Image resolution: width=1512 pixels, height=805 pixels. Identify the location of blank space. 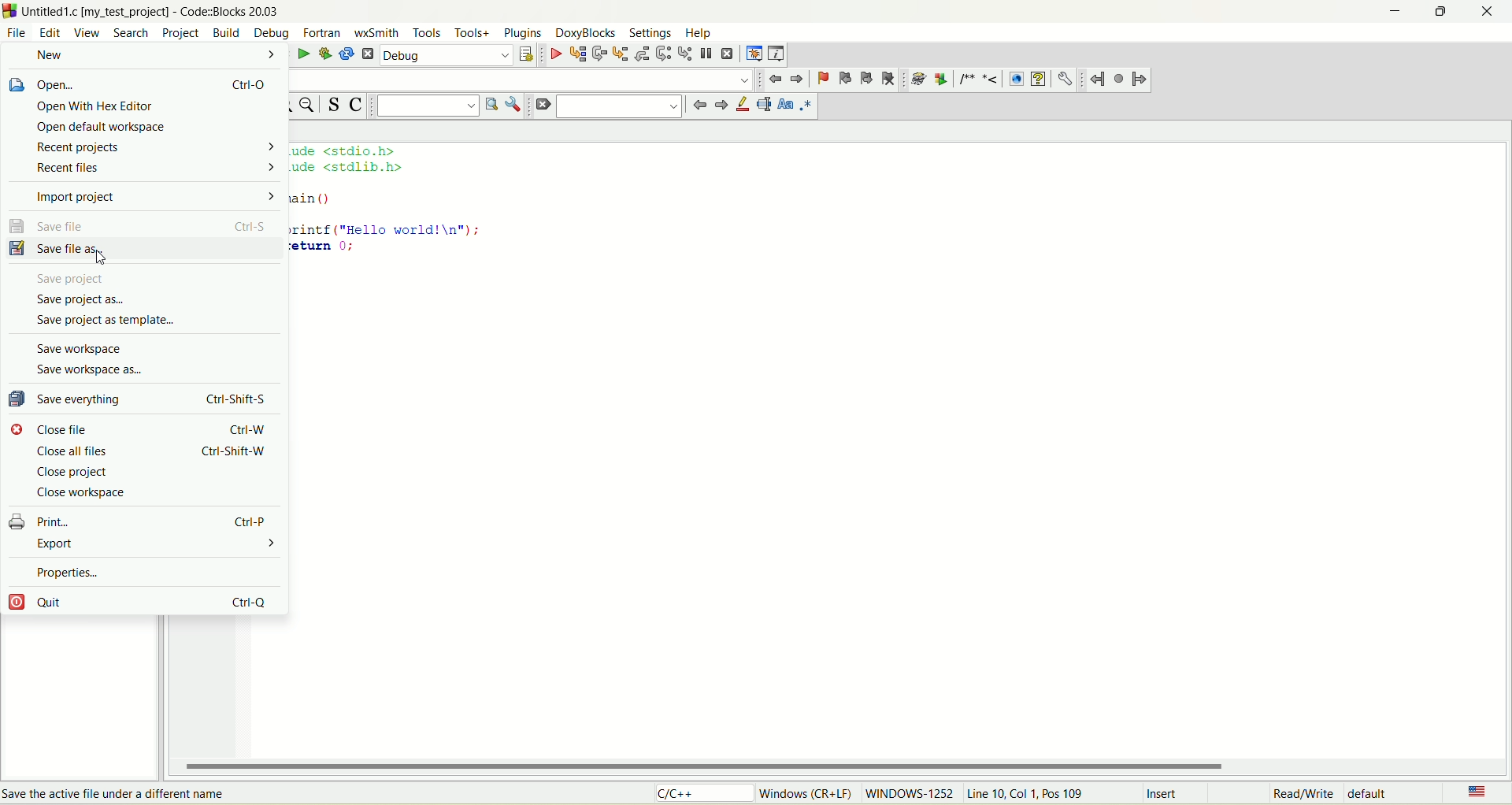
(524, 80).